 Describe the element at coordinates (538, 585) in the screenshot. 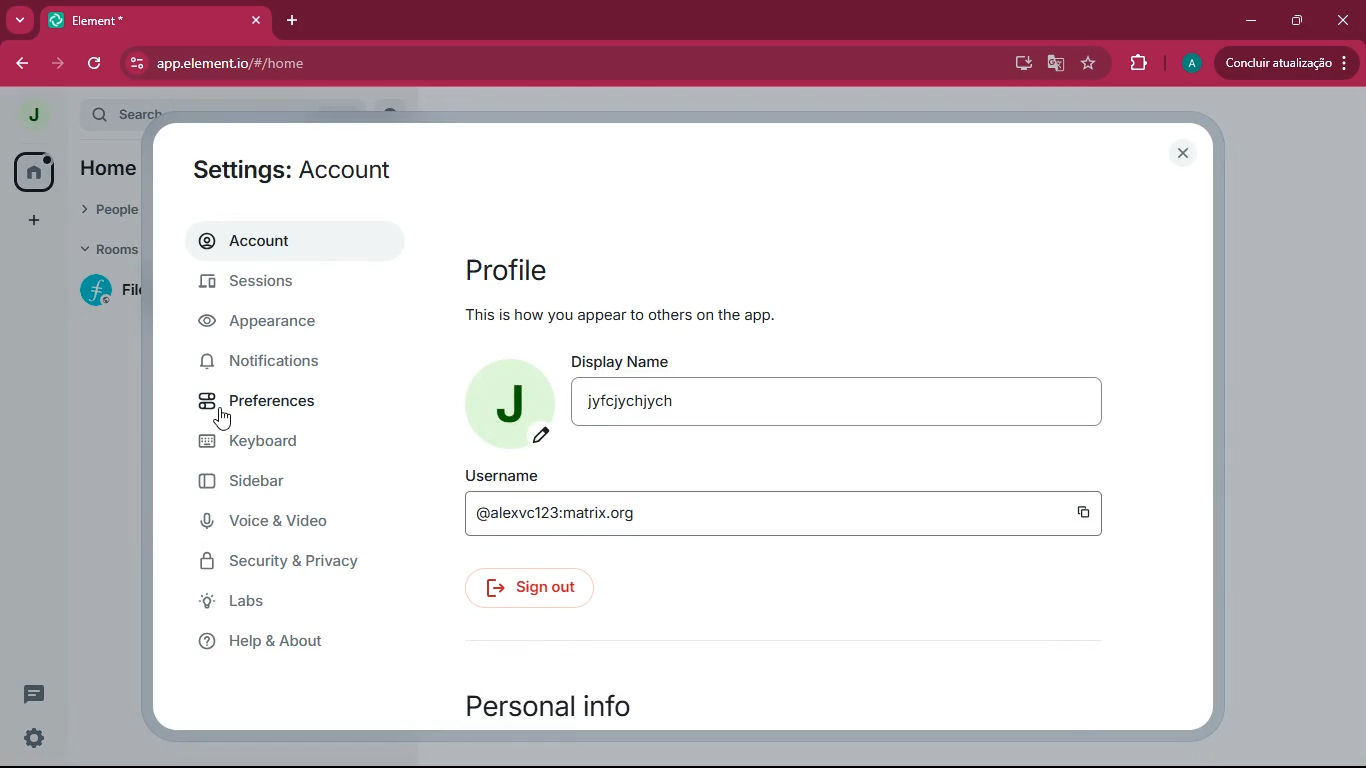

I see `sign out` at that location.